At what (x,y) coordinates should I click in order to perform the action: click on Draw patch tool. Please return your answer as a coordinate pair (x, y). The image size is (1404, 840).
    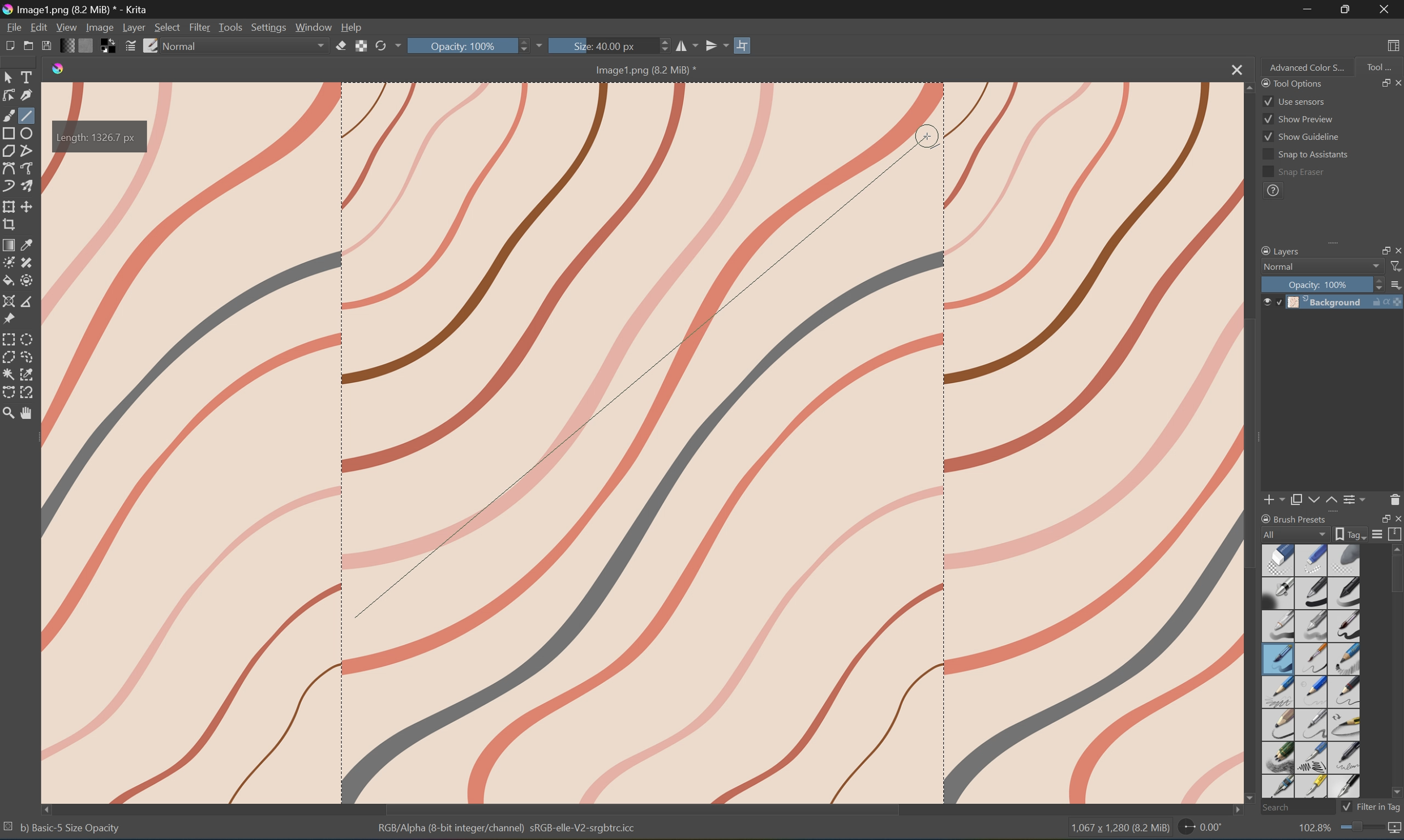
    Looking at the image, I should click on (25, 263).